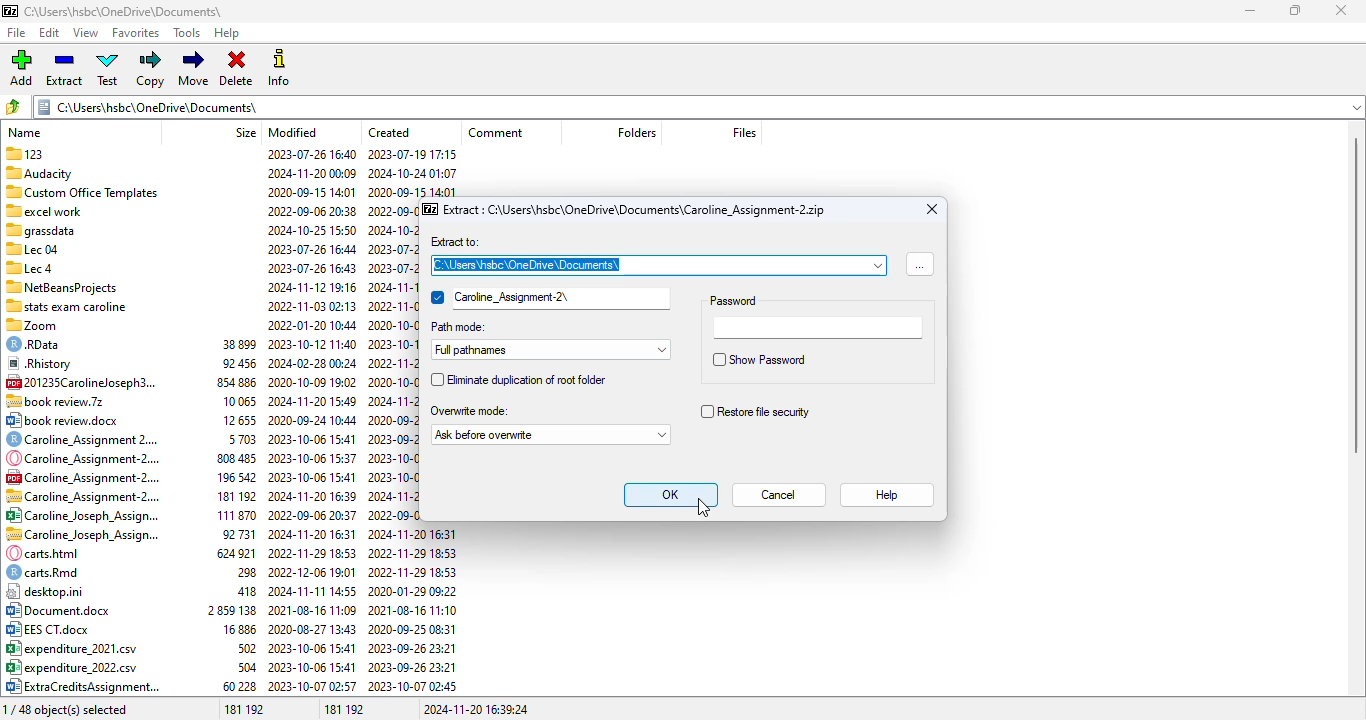 Image resolution: width=1366 pixels, height=720 pixels. Describe the element at coordinates (430, 208) in the screenshot. I see `logo` at that location.